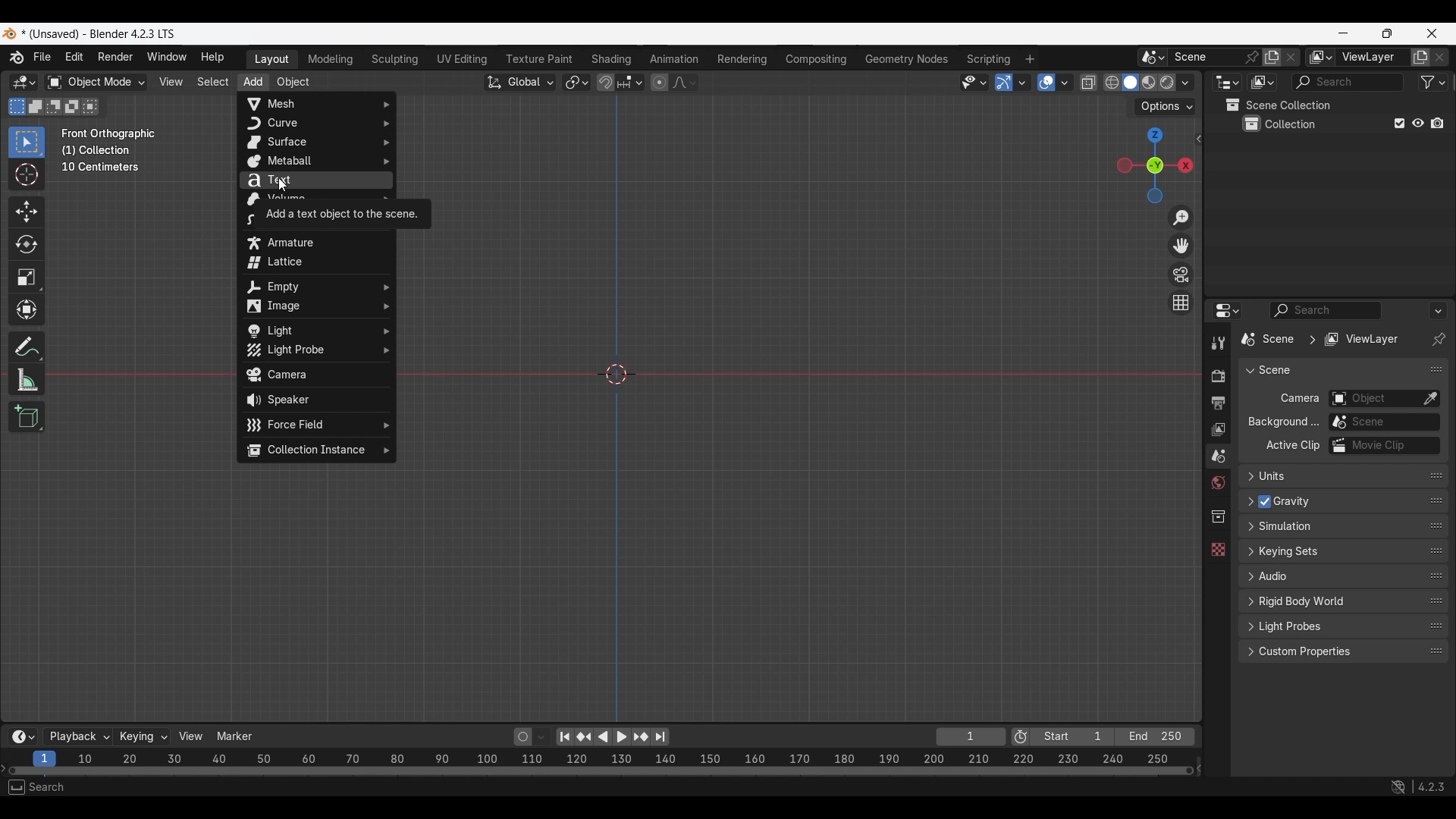 The width and height of the screenshot is (1456, 819). What do you see at coordinates (1439, 310) in the screenshot?
I see `Options for the properties editor` at bounding box center [1439, 310].